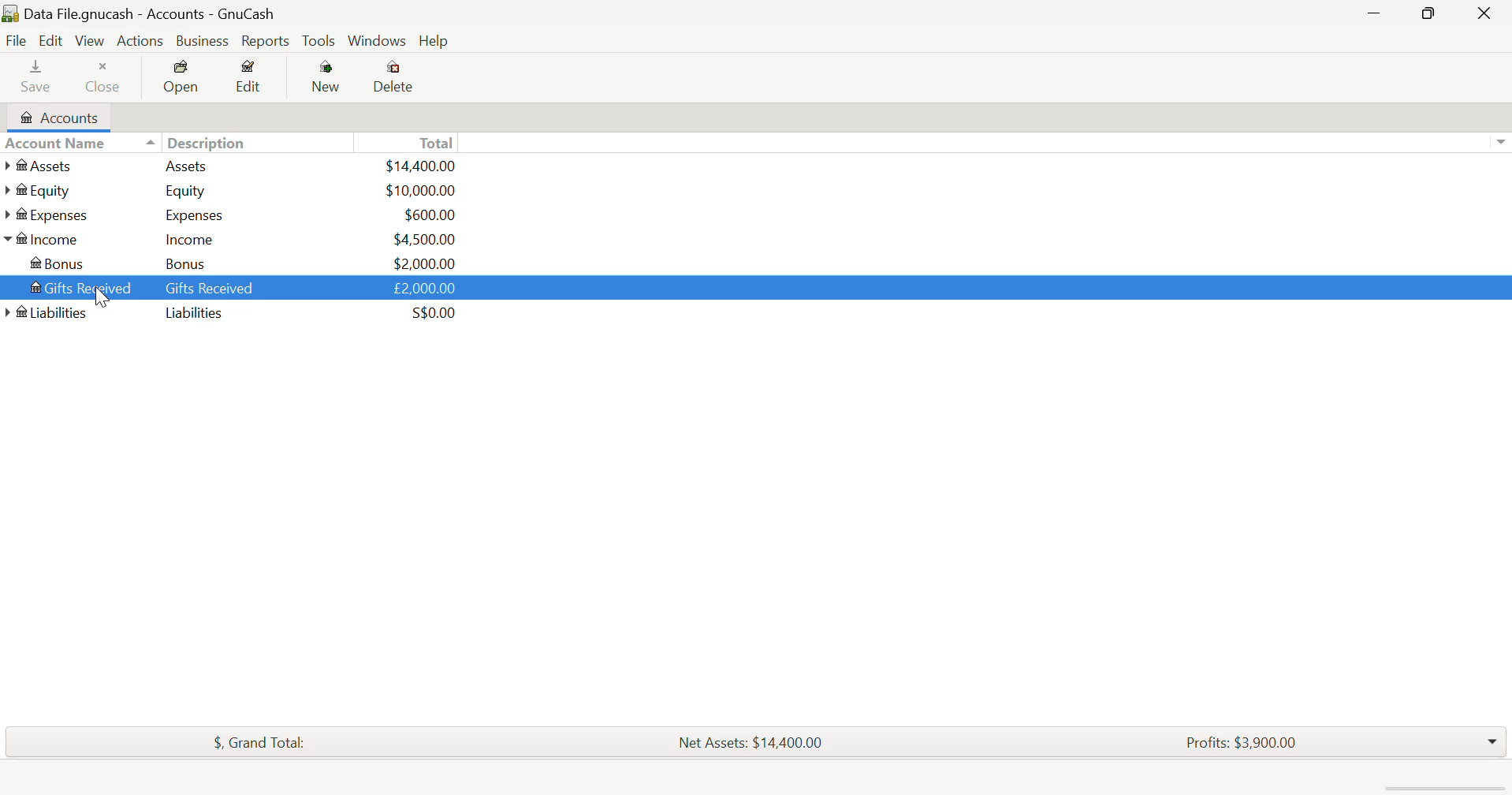 The image size is (1512, 795). Describe the element at coordinates (263, 42) in the screenshot. I see `Reports` at that location.